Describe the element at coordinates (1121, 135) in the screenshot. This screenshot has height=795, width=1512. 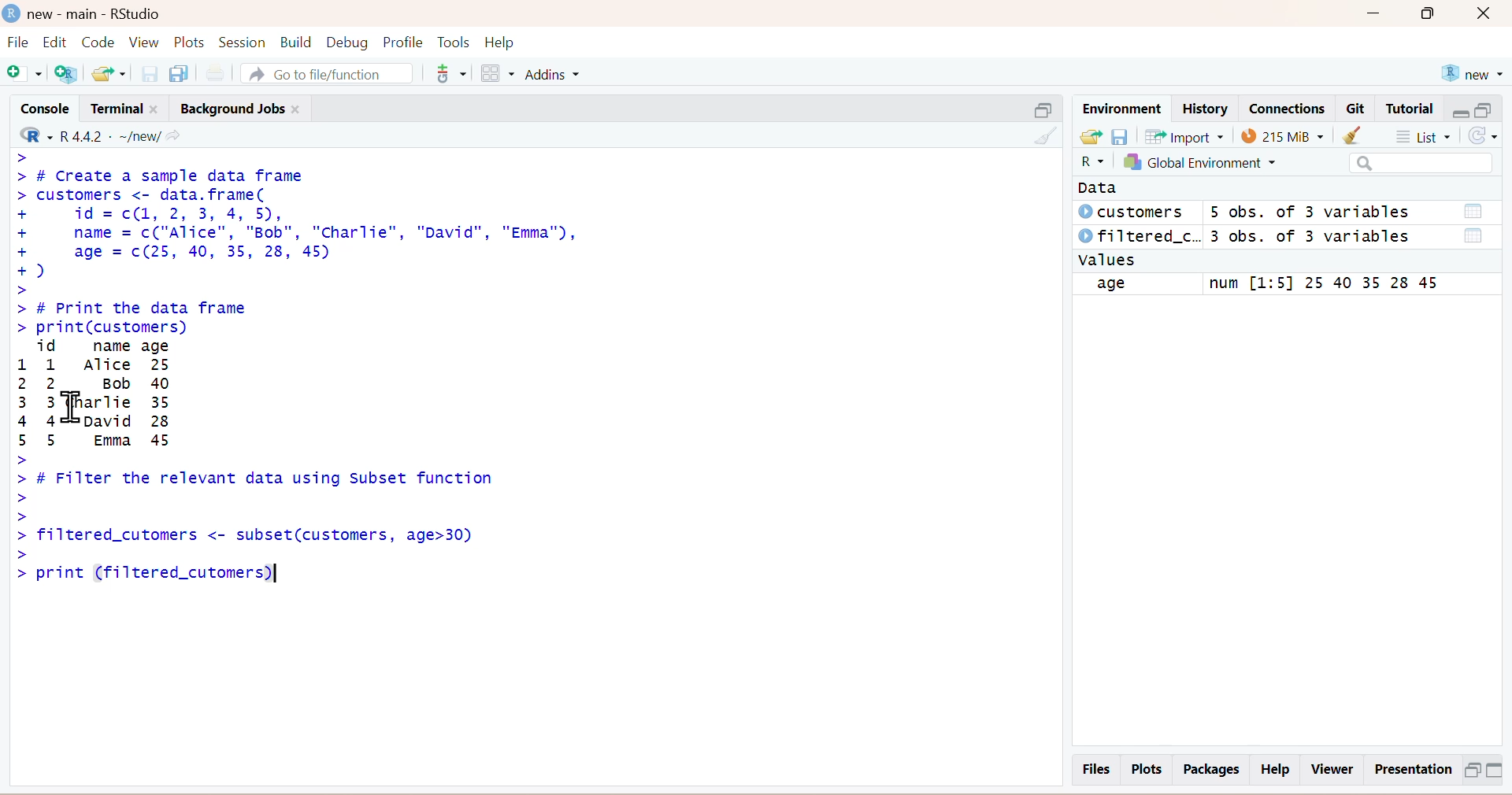
I see `save workspace as` at that location.